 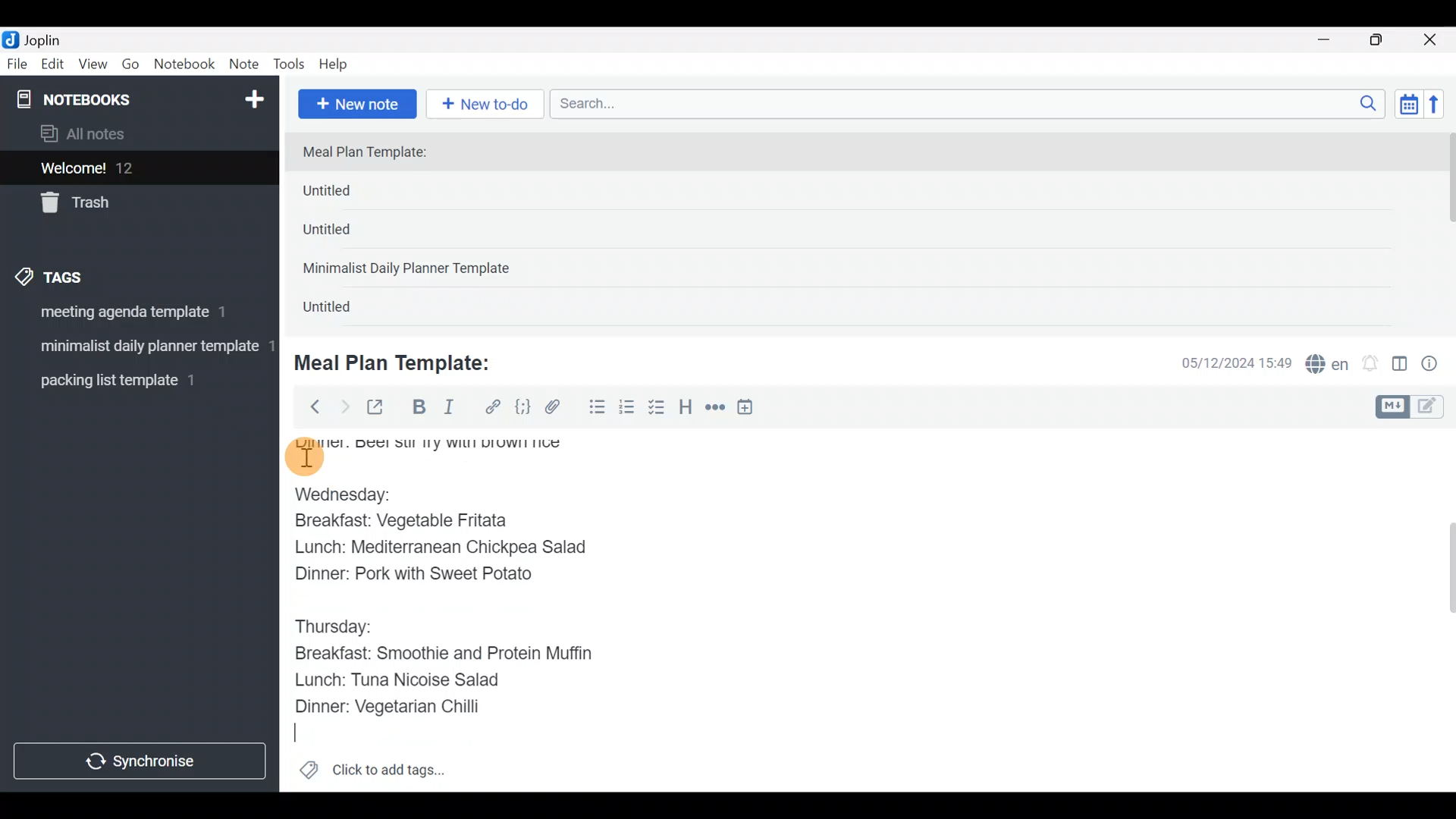 What do you see at coordinates (1401, 366) in the screenshot?
I see `Toggle editor layout` at bounding box center [1401, 366].